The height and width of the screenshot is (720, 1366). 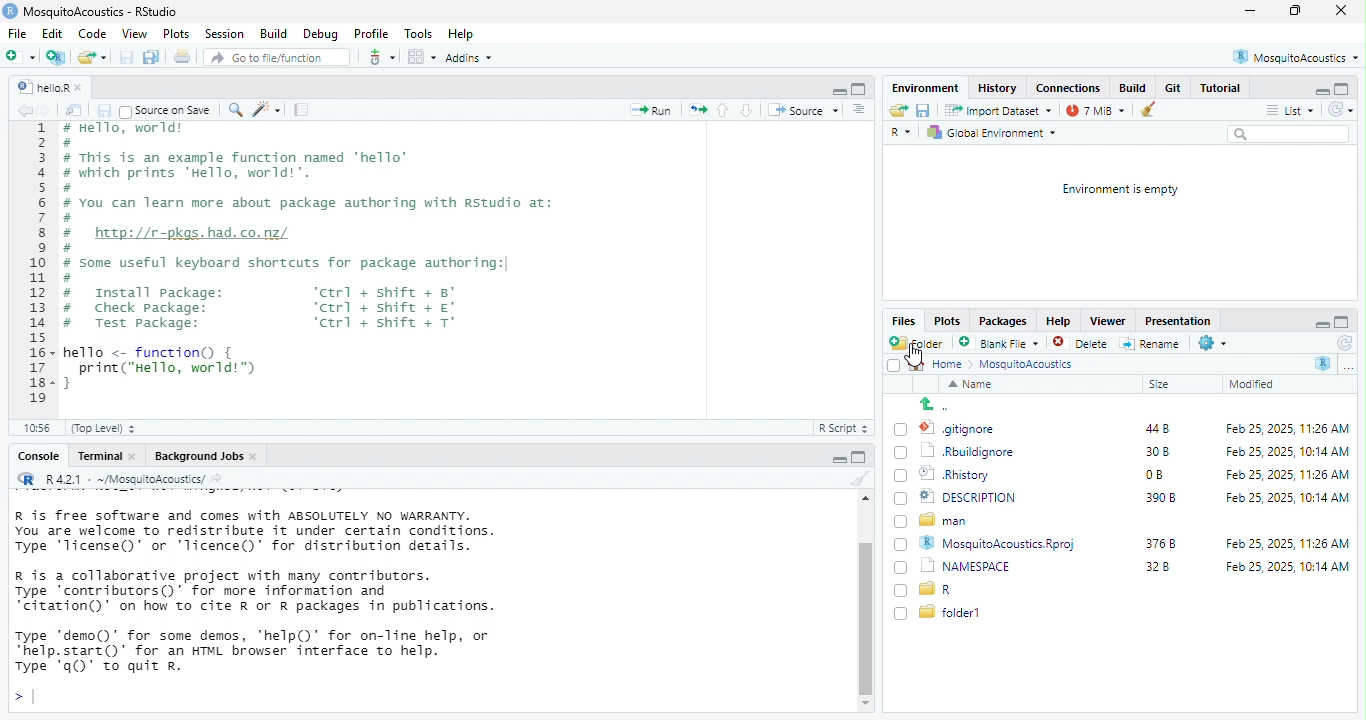 I want to click on edit, so click(x=52, y=35).